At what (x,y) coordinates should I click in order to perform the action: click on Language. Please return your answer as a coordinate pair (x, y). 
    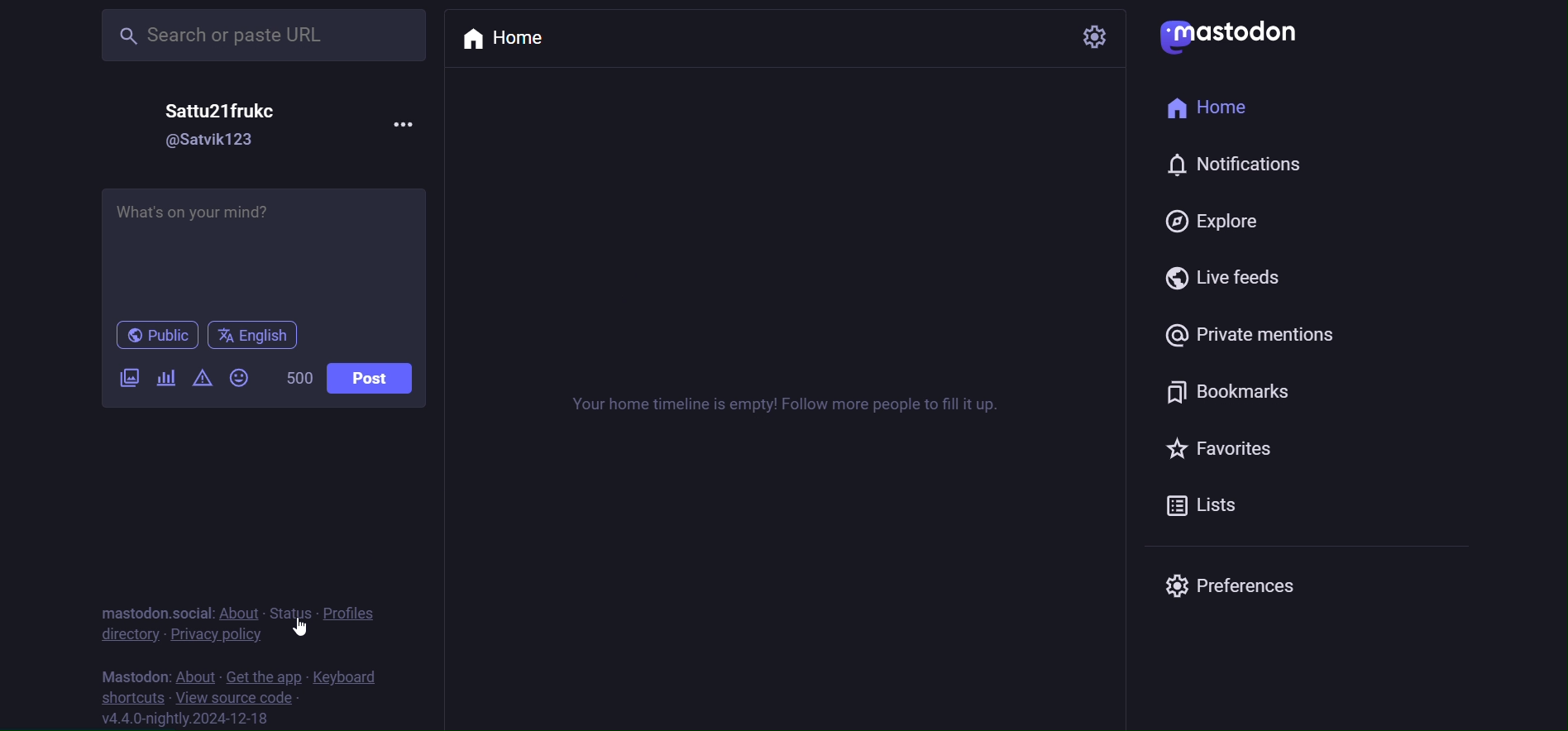
    Looking at the image, I should click on (261, 338).